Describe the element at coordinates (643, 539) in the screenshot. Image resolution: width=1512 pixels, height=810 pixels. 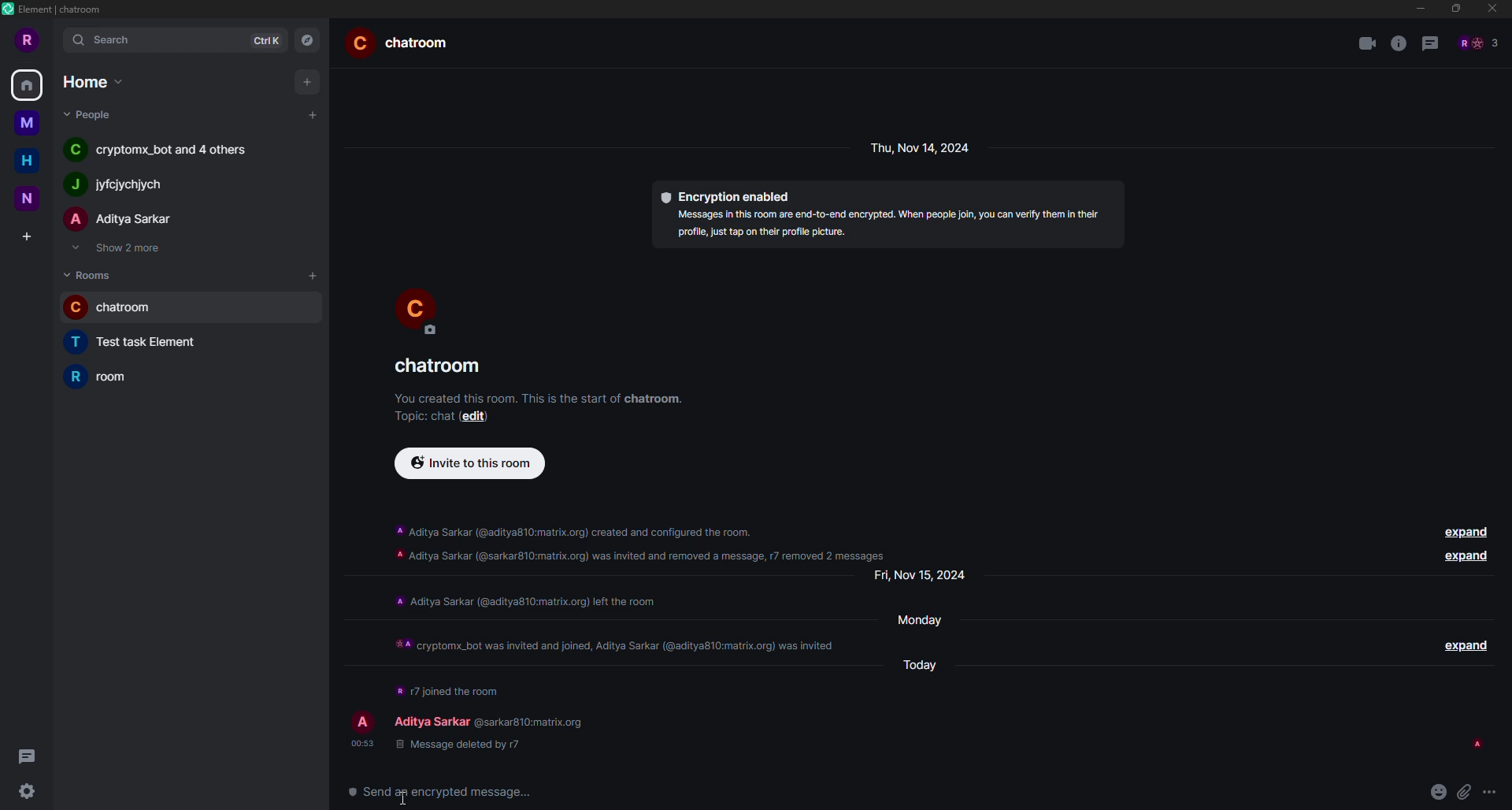
I see `info` at that location.